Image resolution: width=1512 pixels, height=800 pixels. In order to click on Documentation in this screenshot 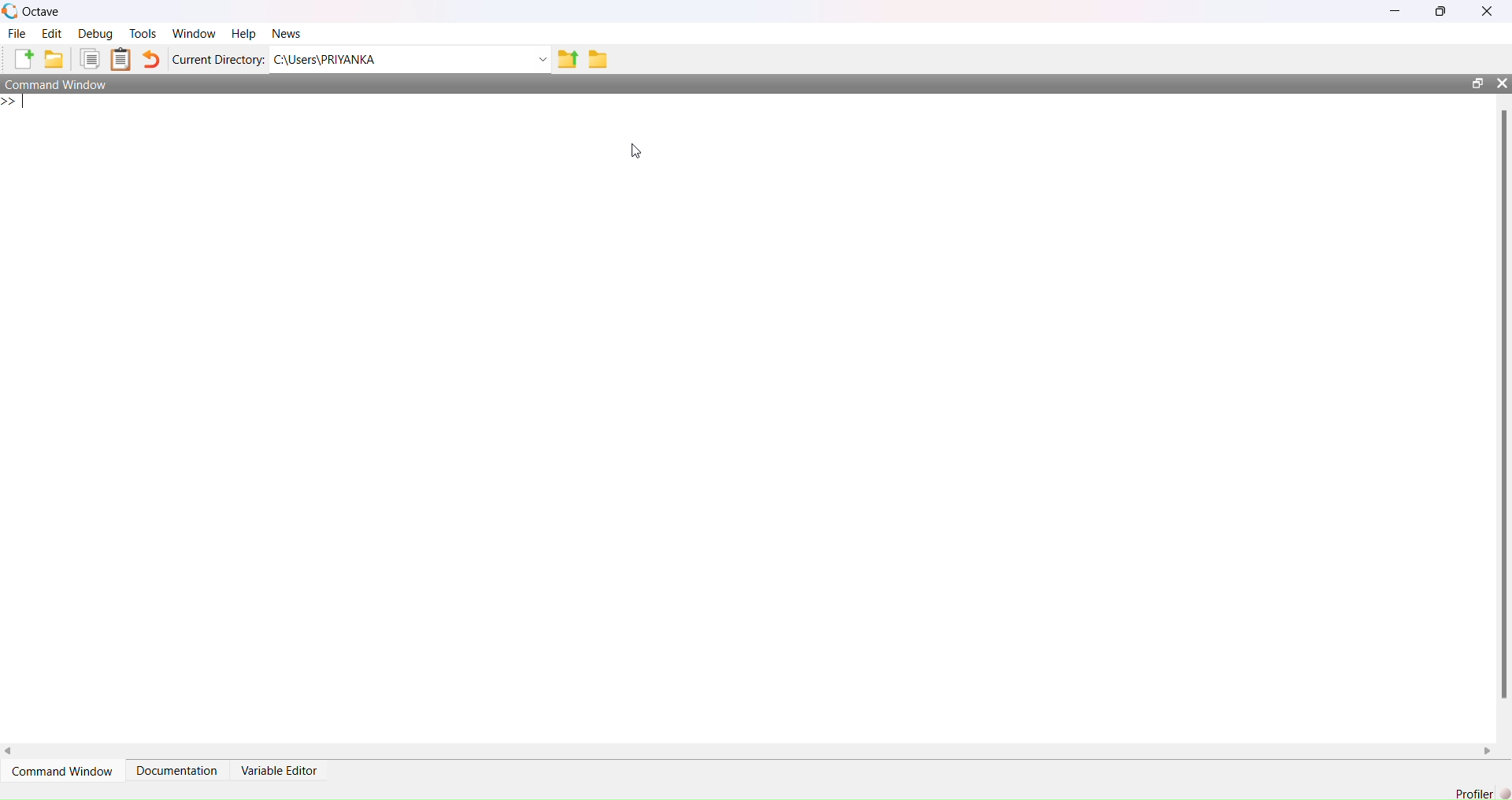, I will do `click(178, 769)`.